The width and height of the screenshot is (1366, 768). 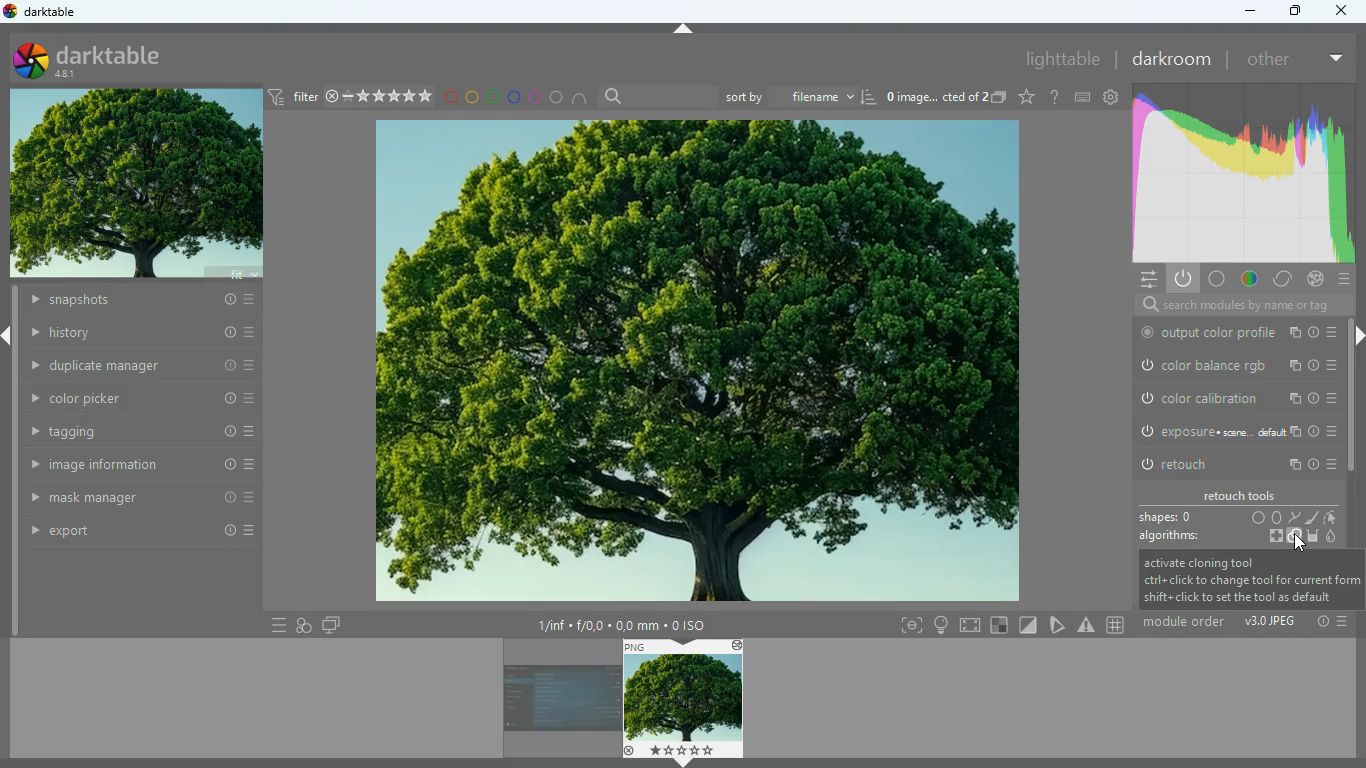 I want to click on overlap, so click(x=305, y=625).